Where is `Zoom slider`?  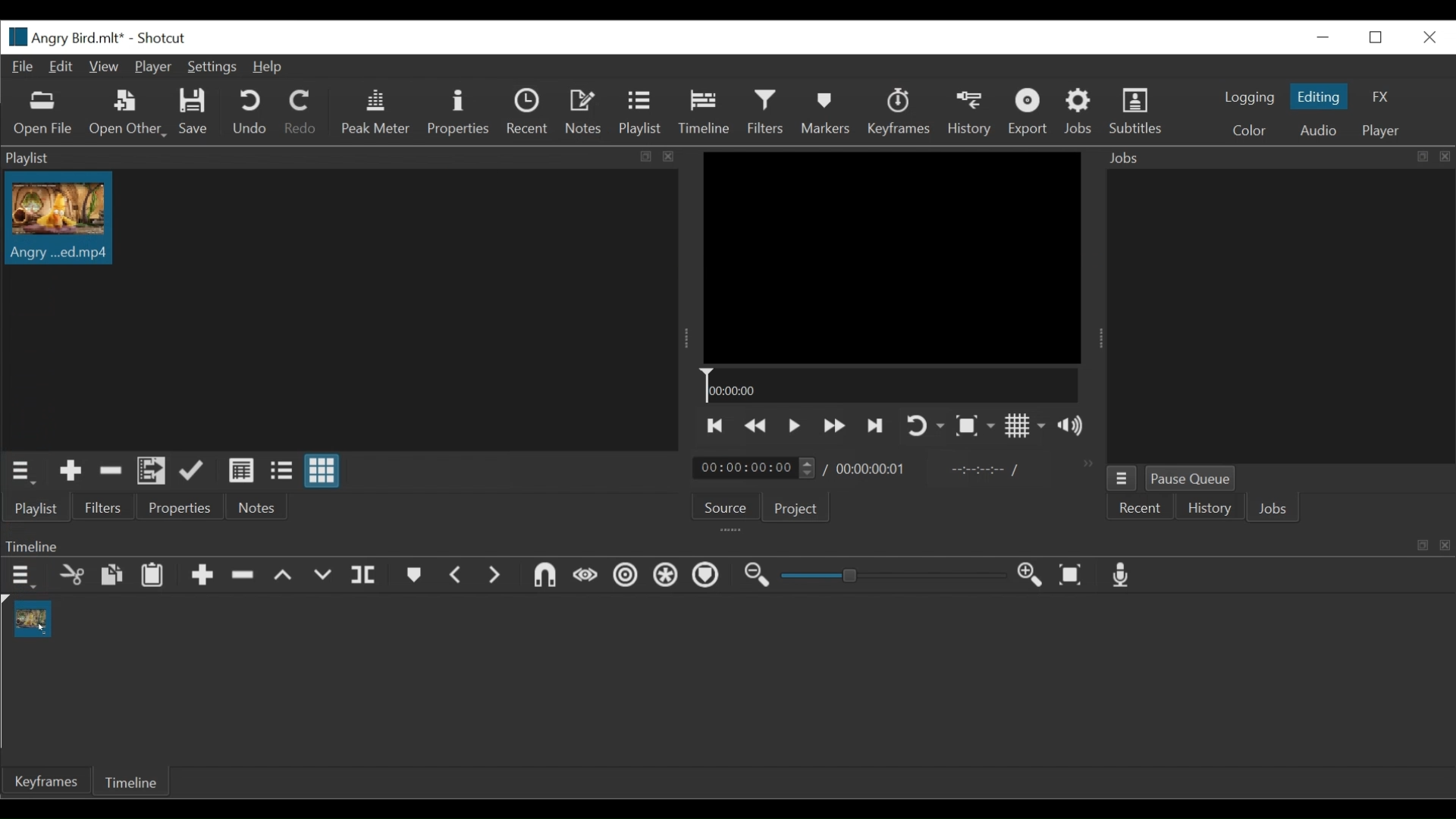 Zoom slider is located at coordinates (896, 575).